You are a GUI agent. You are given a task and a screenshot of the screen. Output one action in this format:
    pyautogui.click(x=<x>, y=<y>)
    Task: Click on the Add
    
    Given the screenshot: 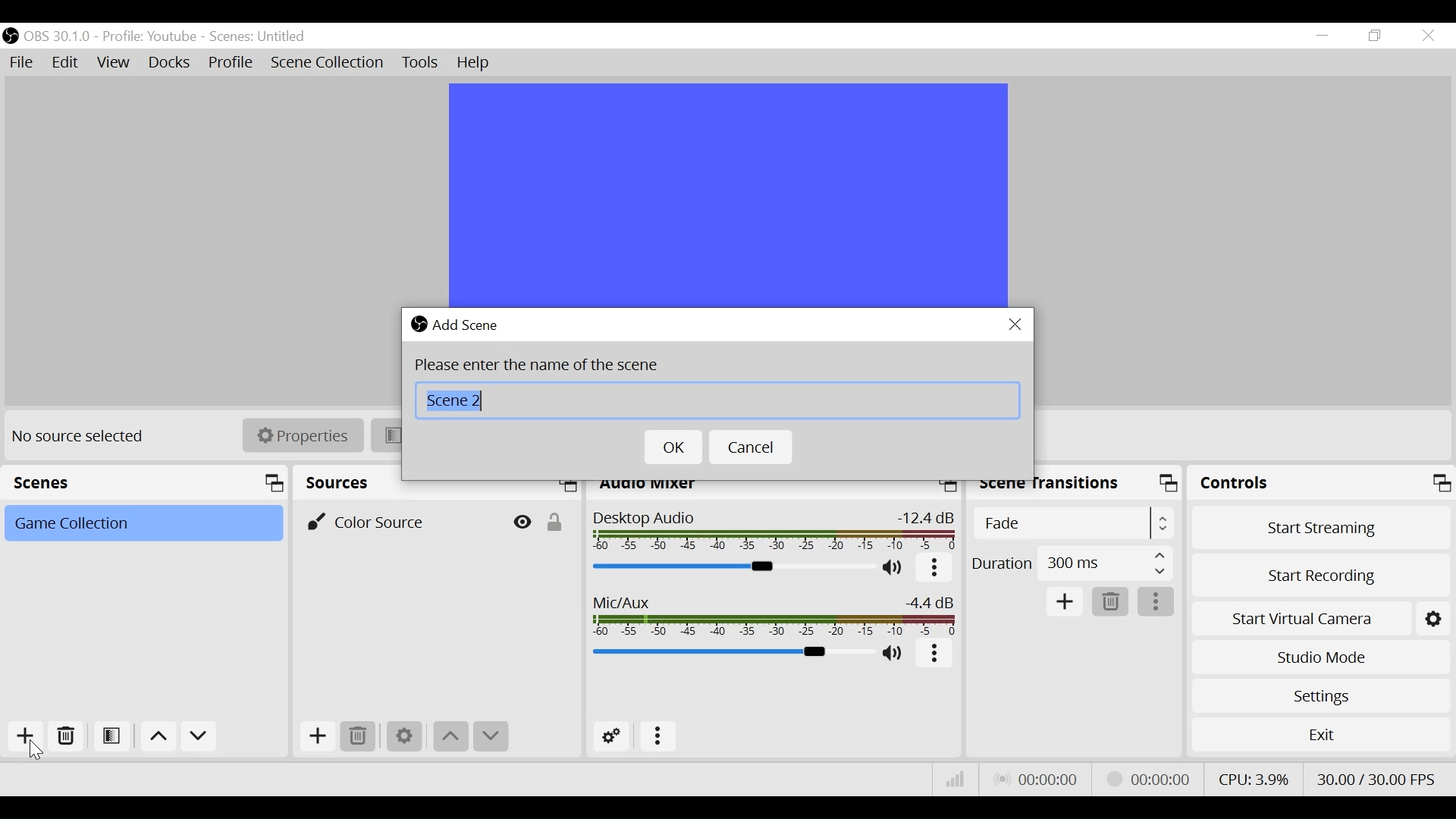 What is the action you would take?
    pyautogui.click(x=315, y=736)
    